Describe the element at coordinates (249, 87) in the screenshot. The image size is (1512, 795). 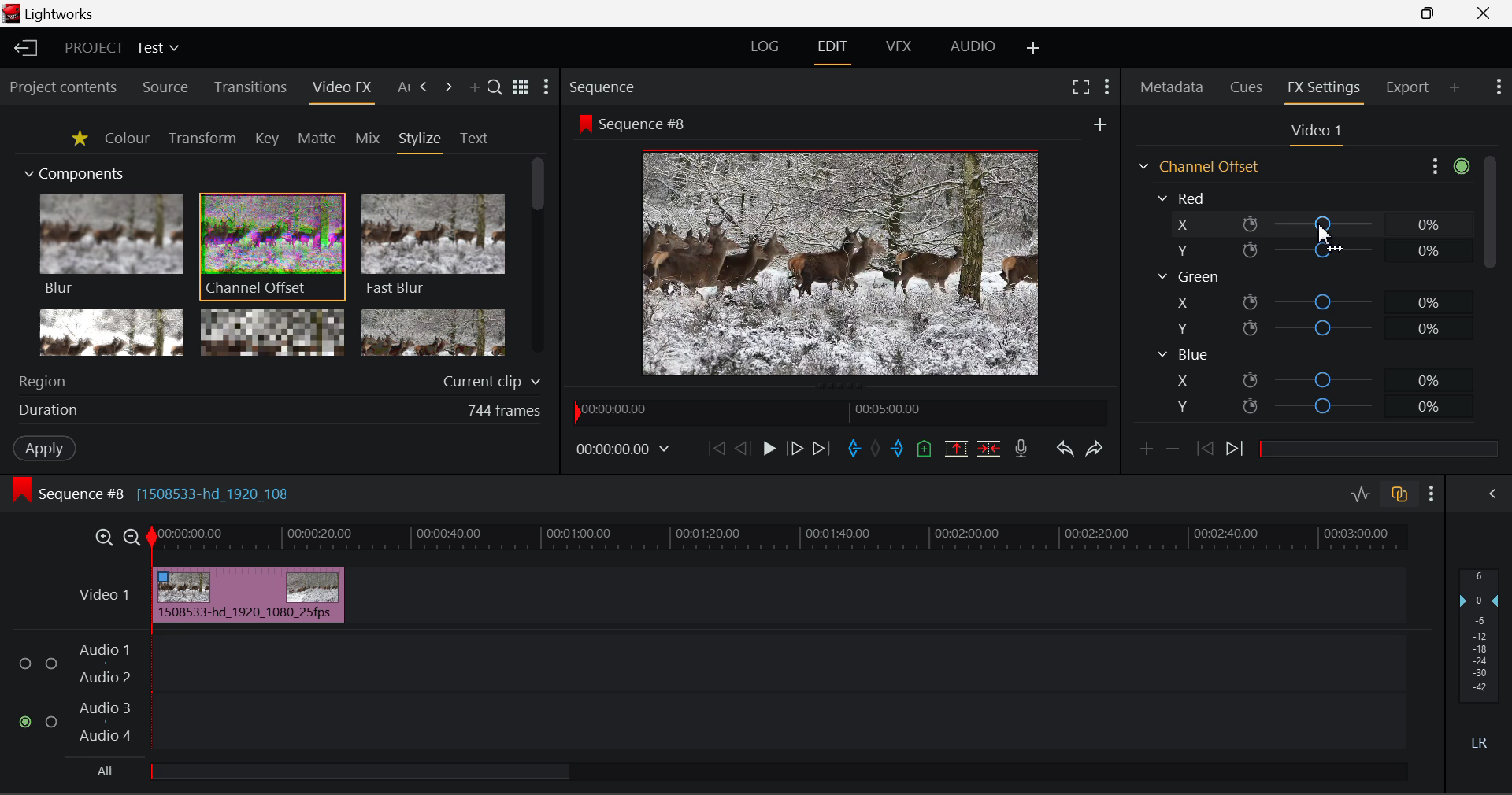
I see `Transitions` at that location.